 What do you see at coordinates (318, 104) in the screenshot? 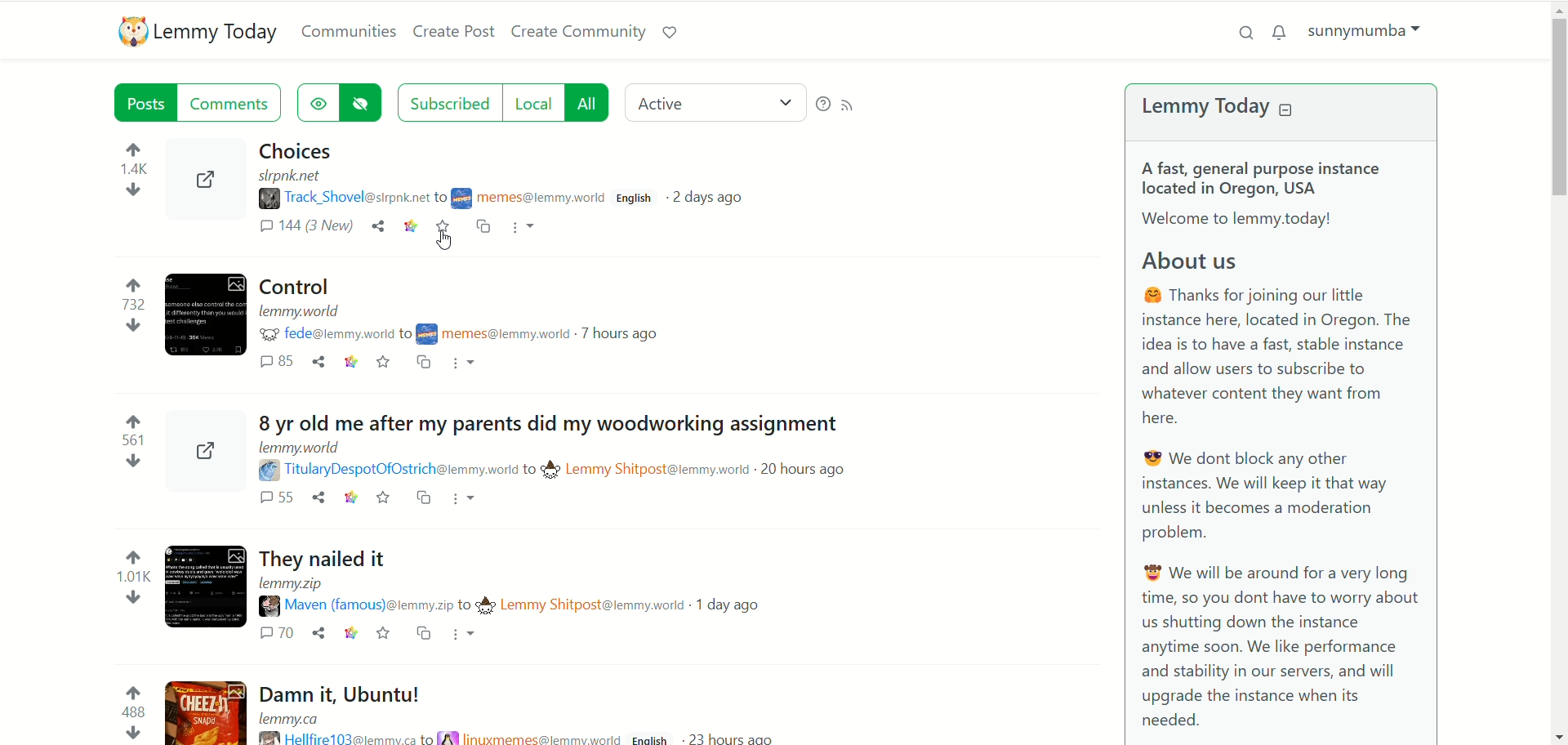
I see `show hidden post` at bounding box center [318, 104].